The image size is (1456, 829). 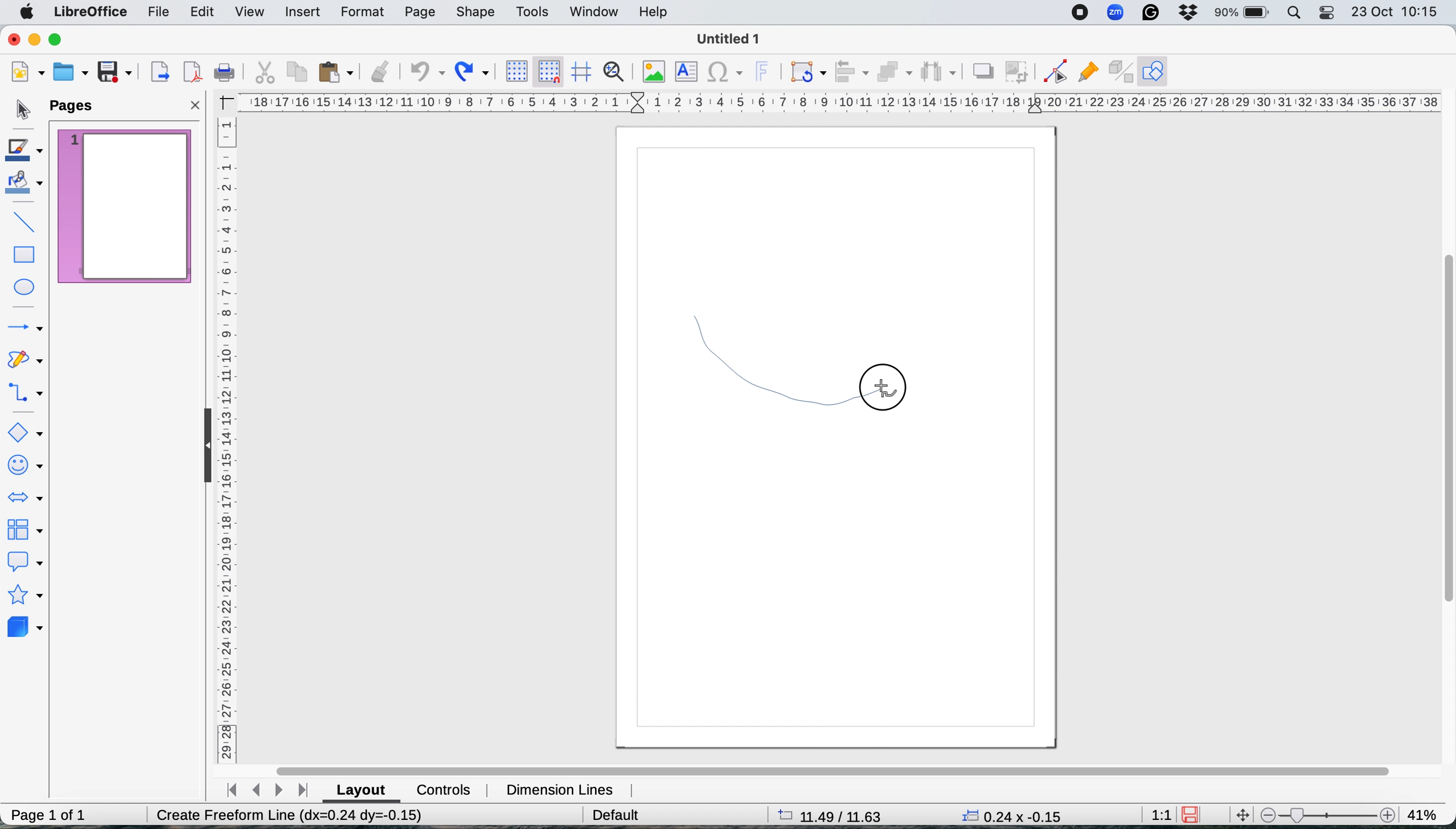 What do you see at coordinates (27, 564) in the screenshot?
I see `callout shapes` at bounding box center [27, 564].